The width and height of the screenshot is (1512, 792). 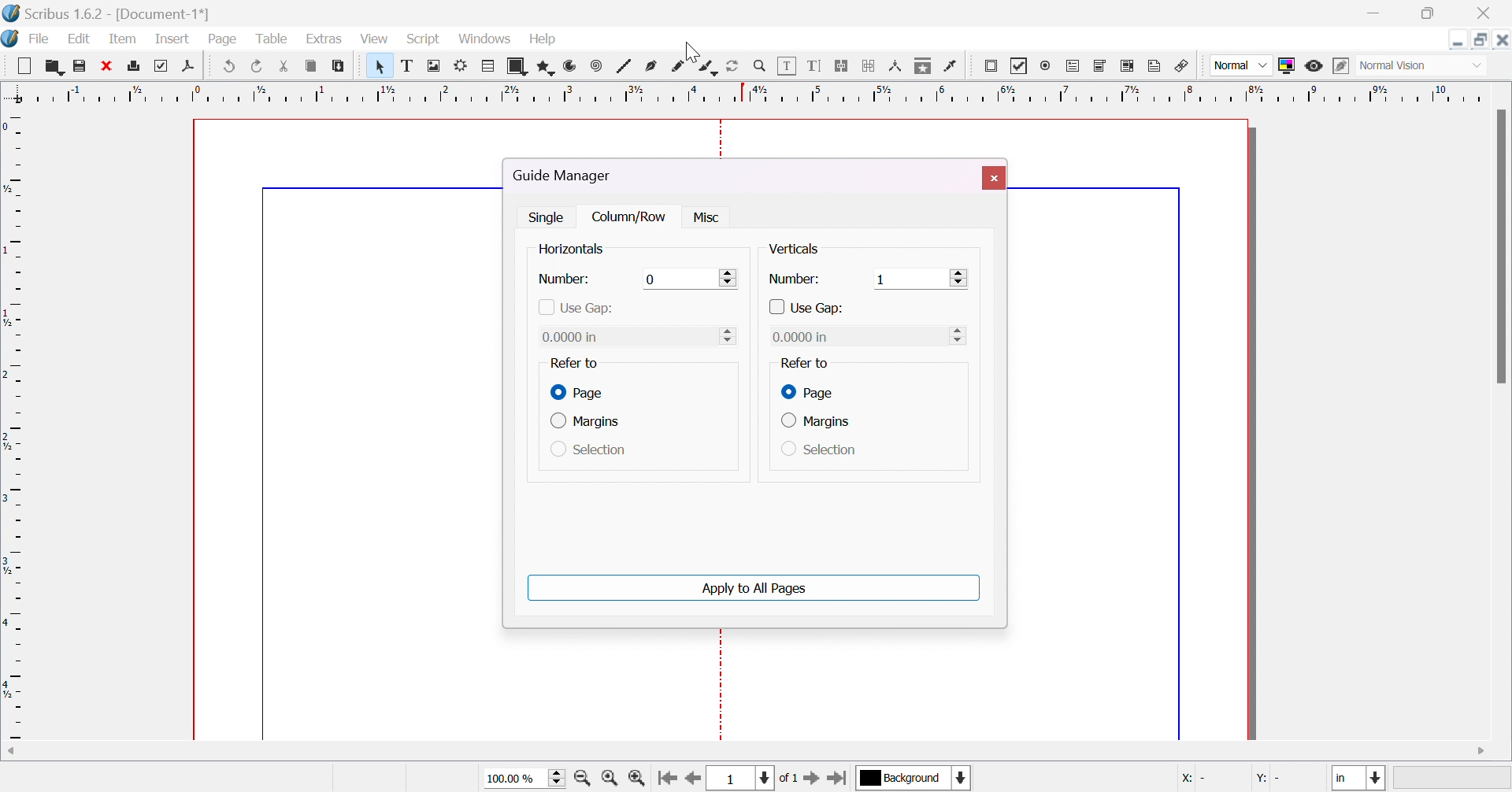 I want to click on number, so click(x=565, y=279).